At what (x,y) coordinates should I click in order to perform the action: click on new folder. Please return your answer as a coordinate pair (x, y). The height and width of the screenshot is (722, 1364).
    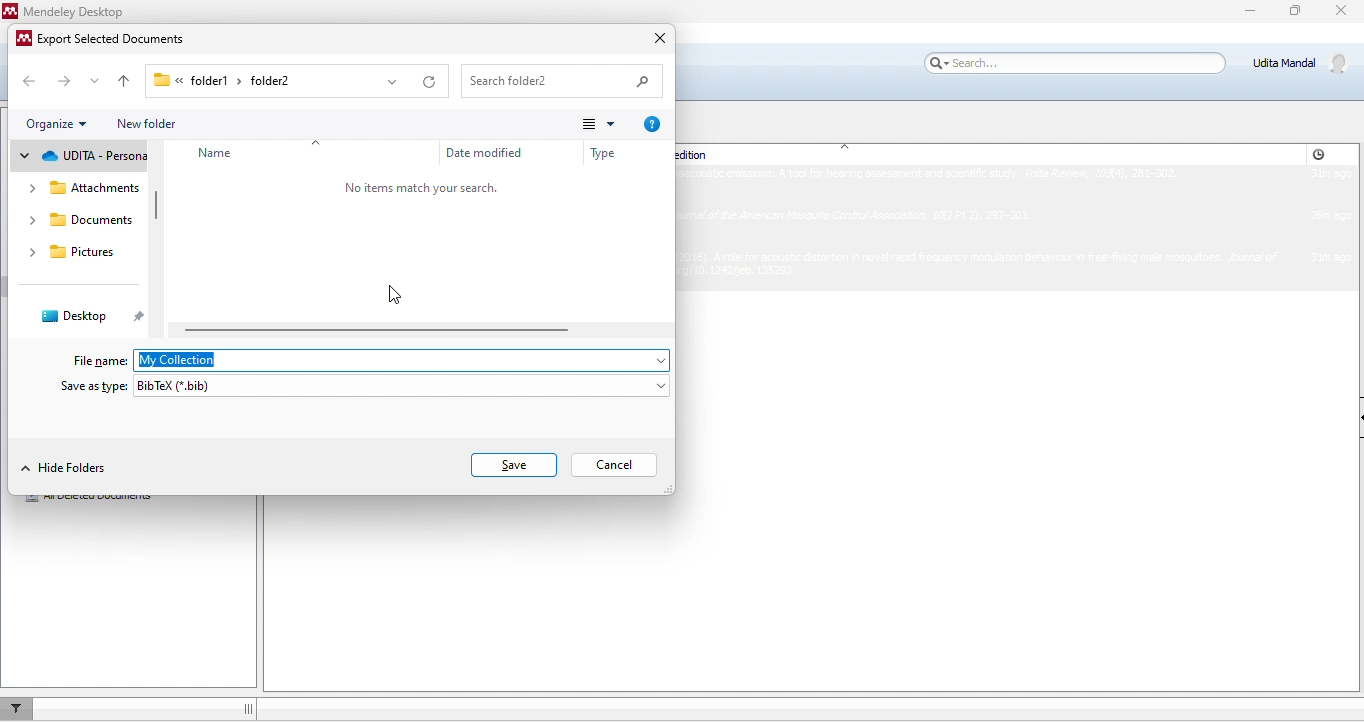
    Looking at the image, I should click on (150, 124).